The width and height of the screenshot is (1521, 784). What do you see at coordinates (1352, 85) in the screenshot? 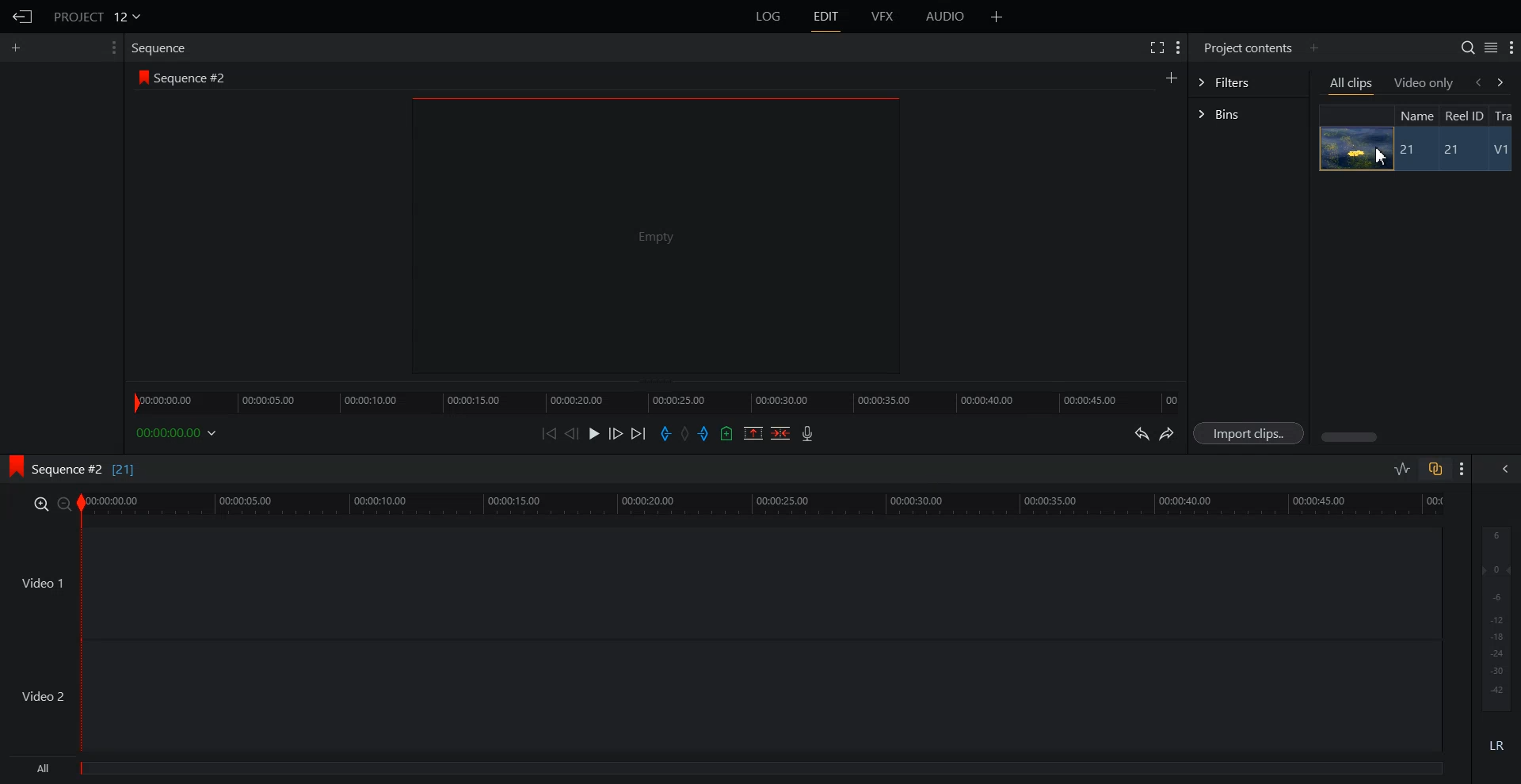
I see `All clips` at bounding box center [1352, 85].